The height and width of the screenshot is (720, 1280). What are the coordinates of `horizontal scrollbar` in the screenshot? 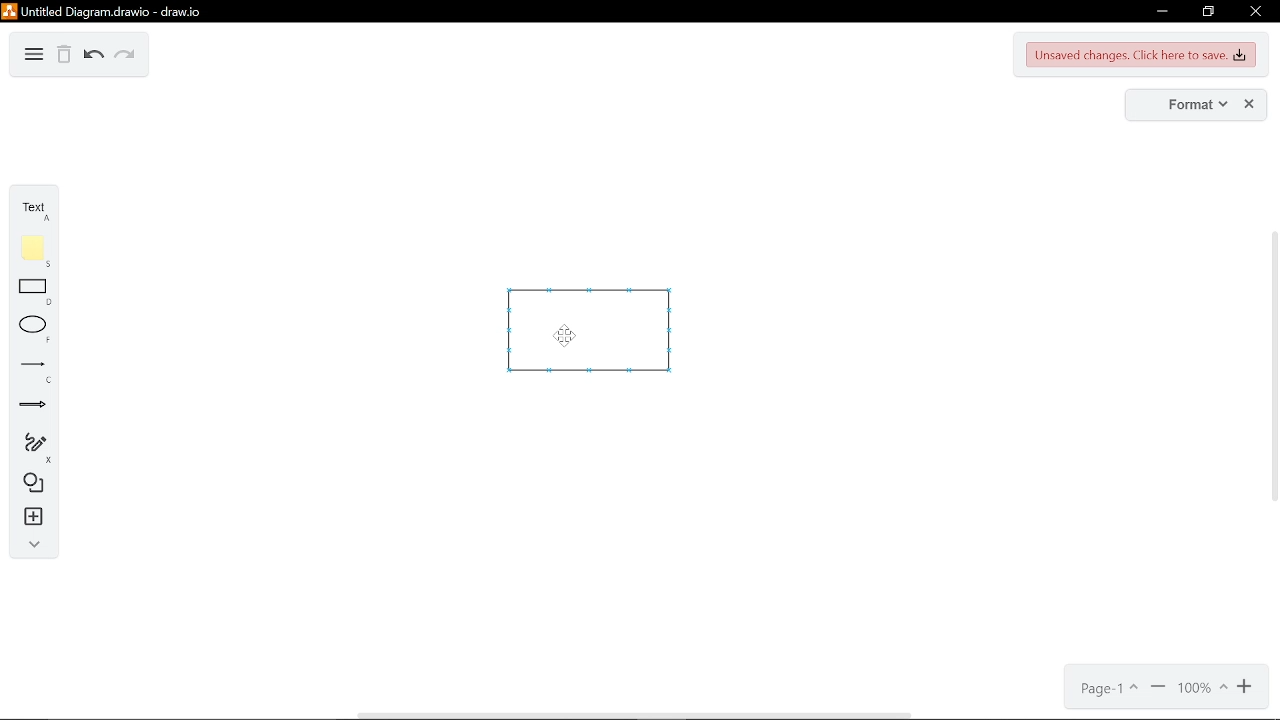 It's located at (633, 714).